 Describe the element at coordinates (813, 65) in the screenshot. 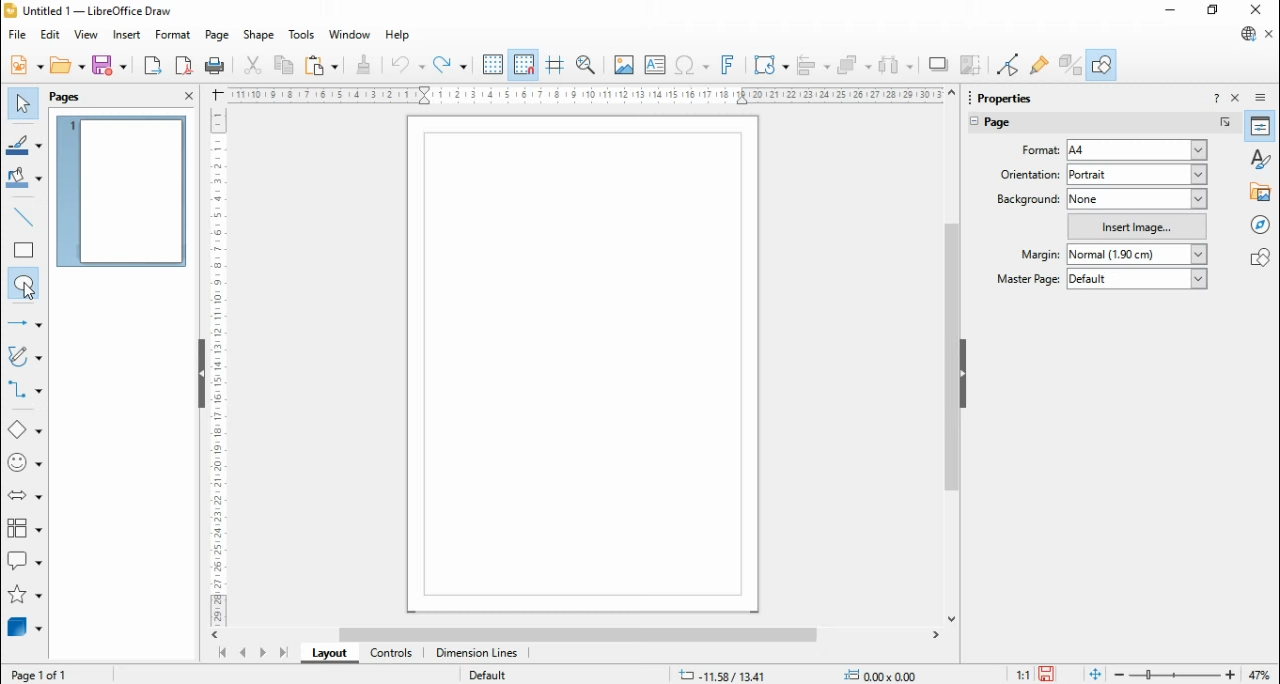

I see `align  objects` at that location.